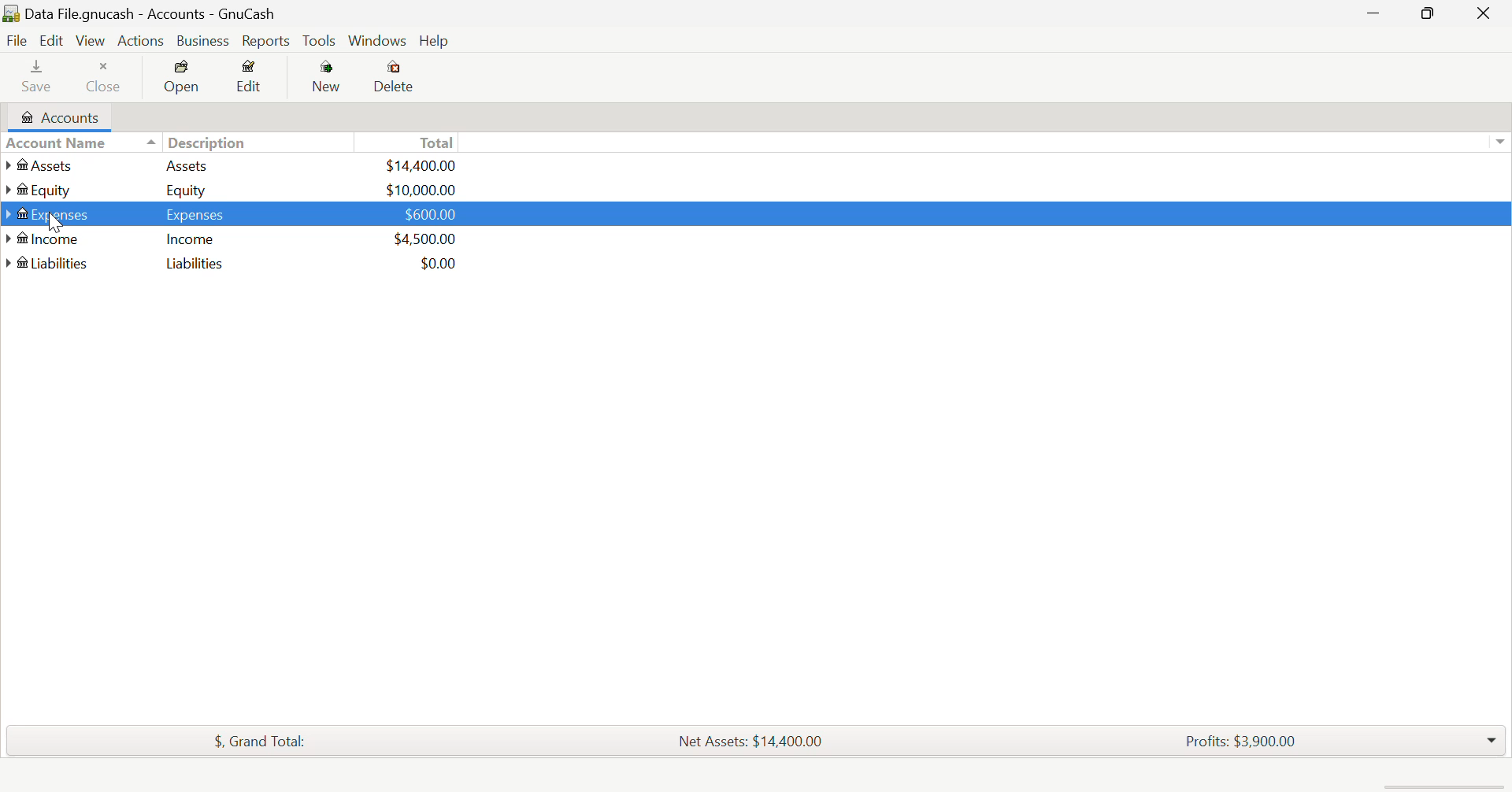  What do you see at coordinates (60, 118) in the screenshot?
I see `Accounts tab` at bounding box center [60, 118].